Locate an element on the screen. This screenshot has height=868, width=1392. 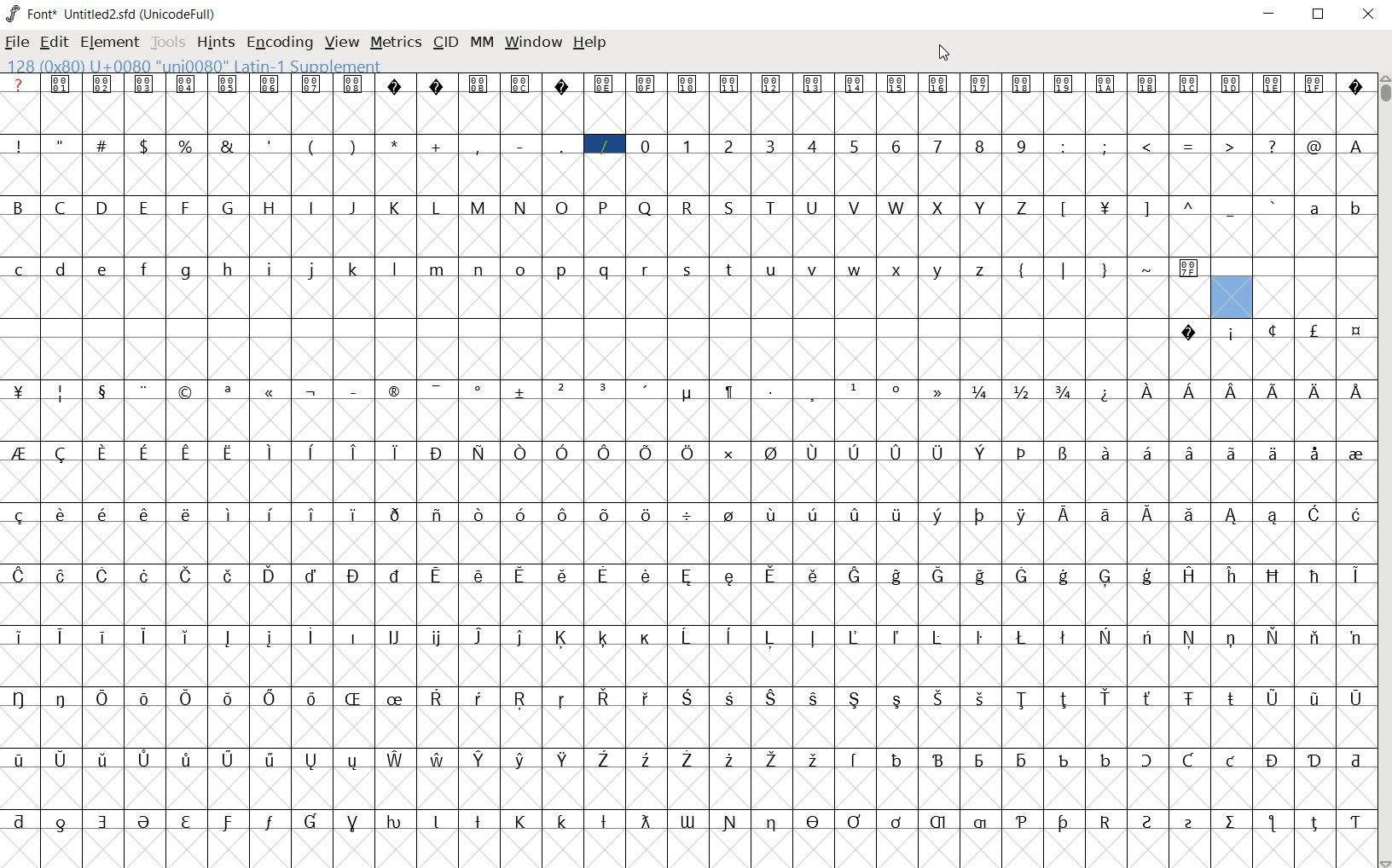
glyph is located at coordinates (731, 698).